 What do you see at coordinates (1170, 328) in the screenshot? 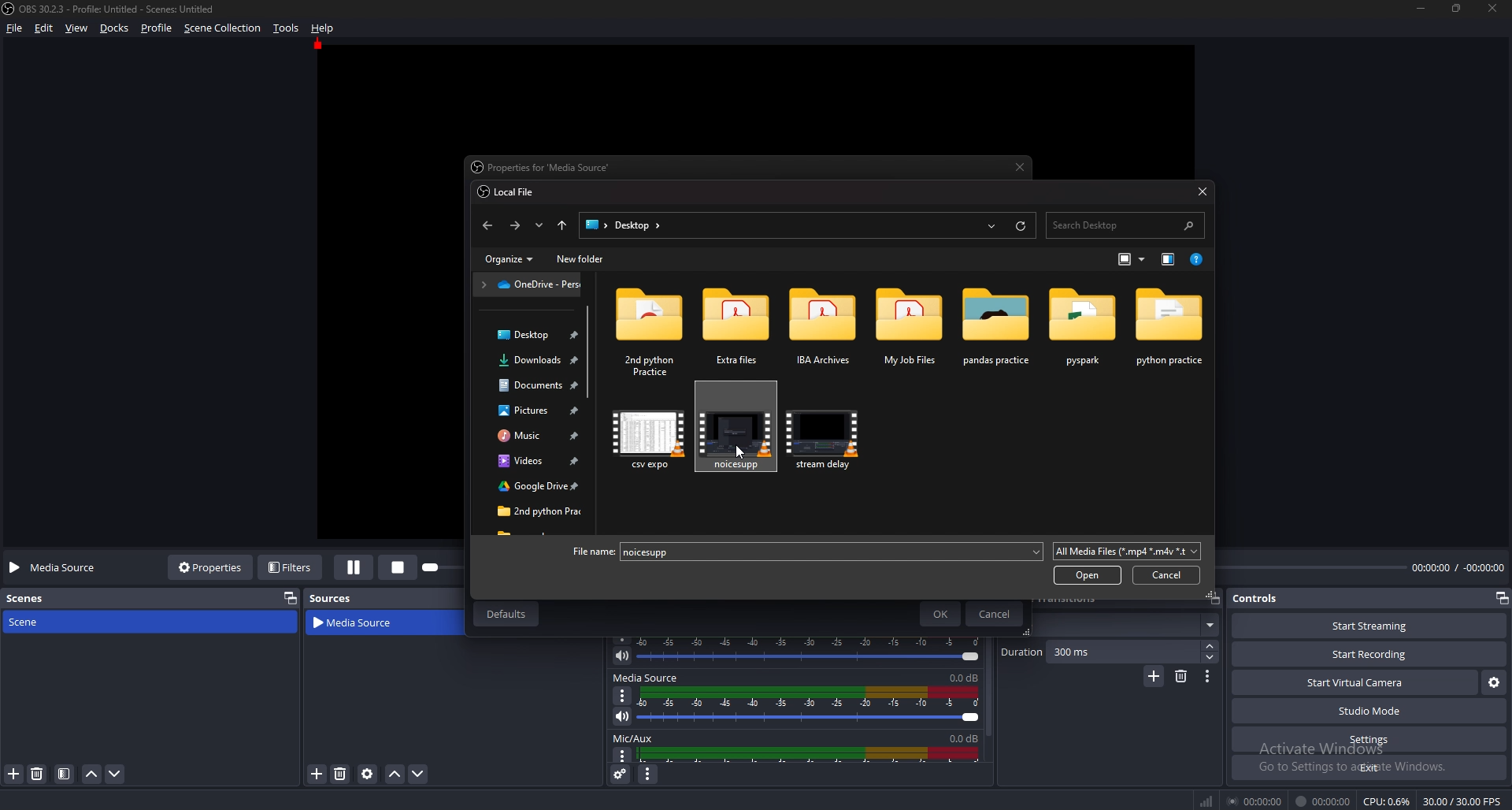
I see `folder` at bounding box center [1170, 328].